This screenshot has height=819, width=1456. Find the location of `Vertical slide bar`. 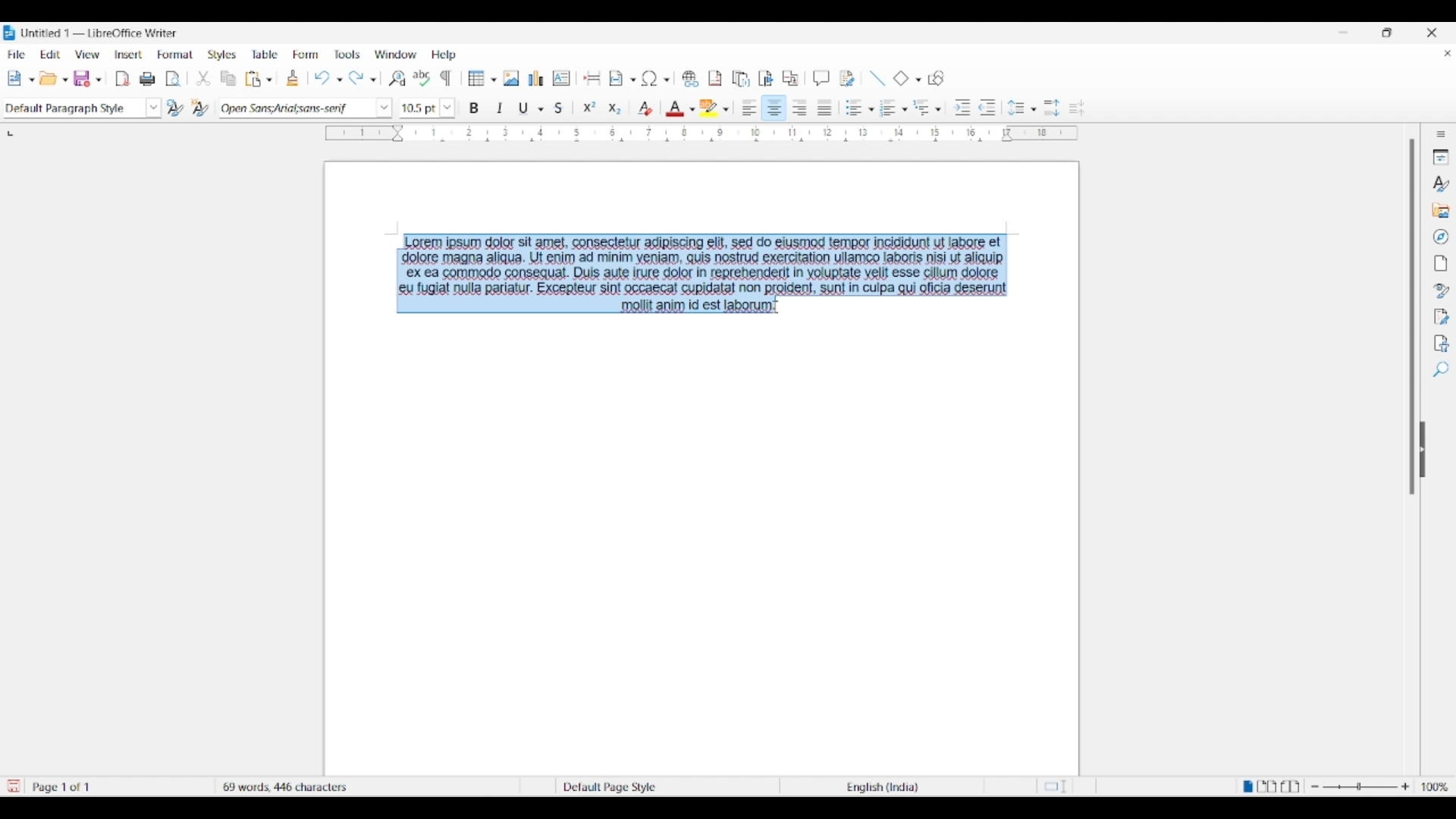

Vertical slide bar is located at coordinates (1412, 317).